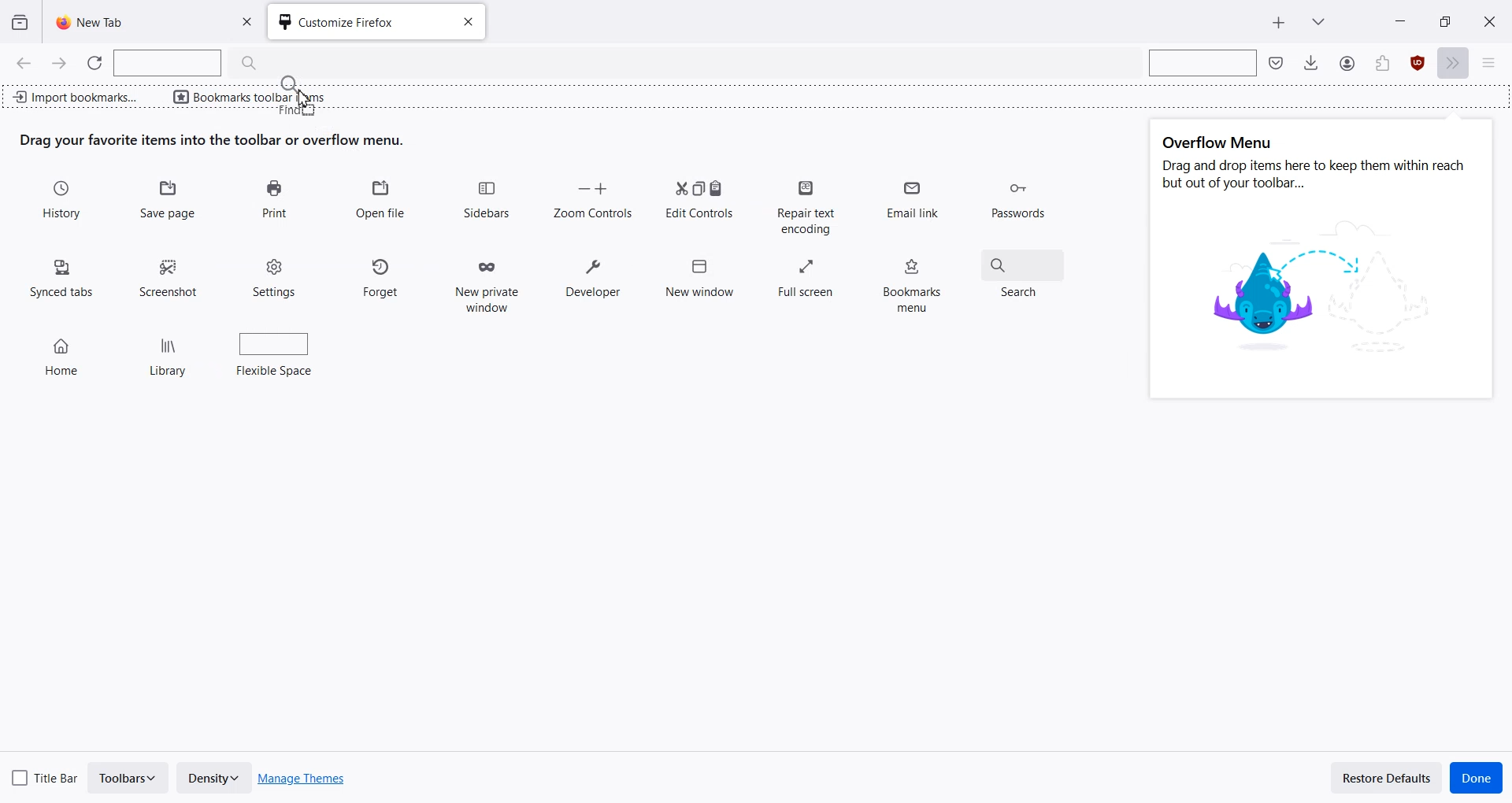 This screenshot has width=1512, height=803. I want to click on Developer, so click(593, 279).